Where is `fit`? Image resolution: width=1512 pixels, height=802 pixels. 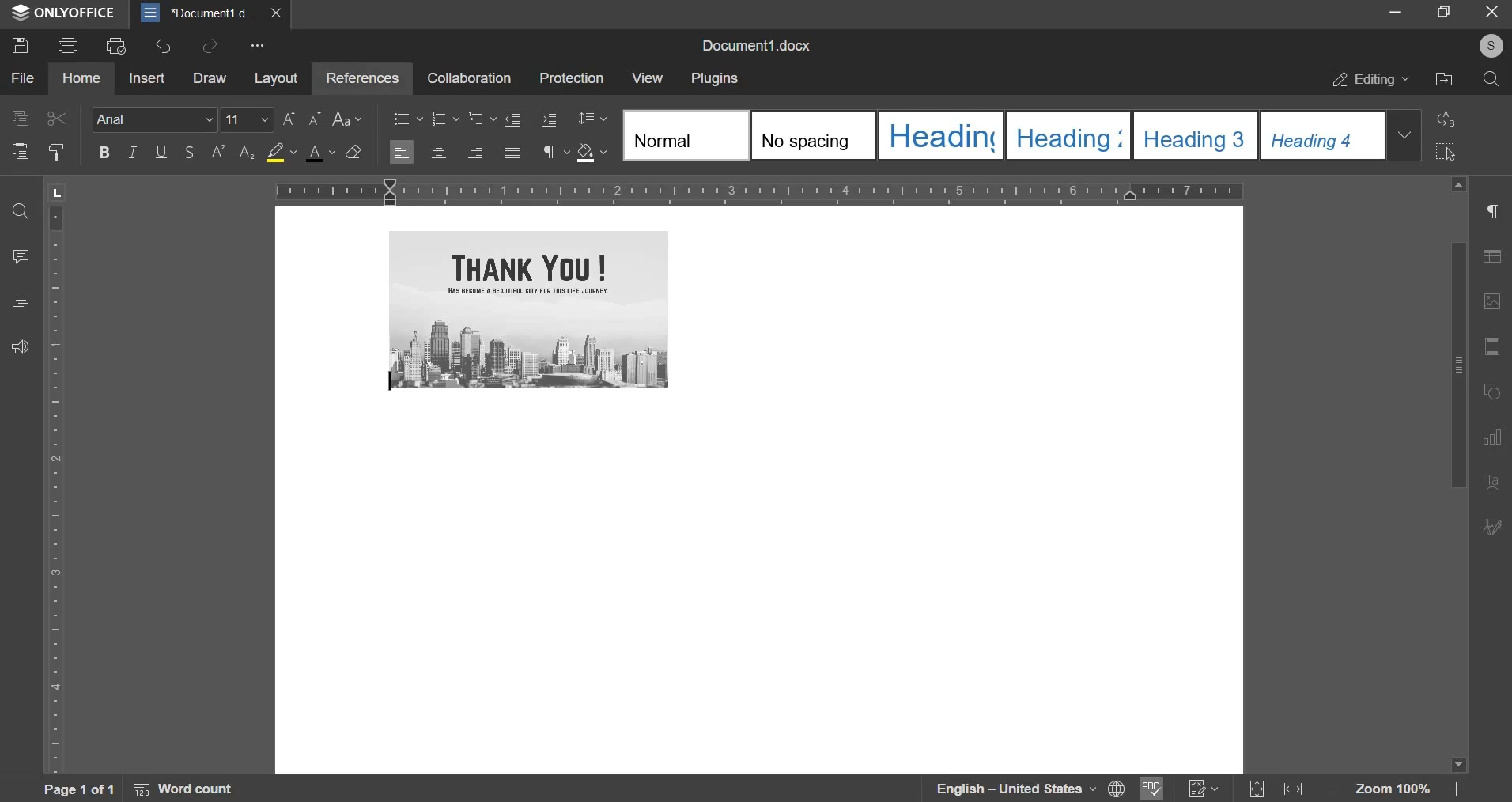
fit is located at coordinates (1495, 348).